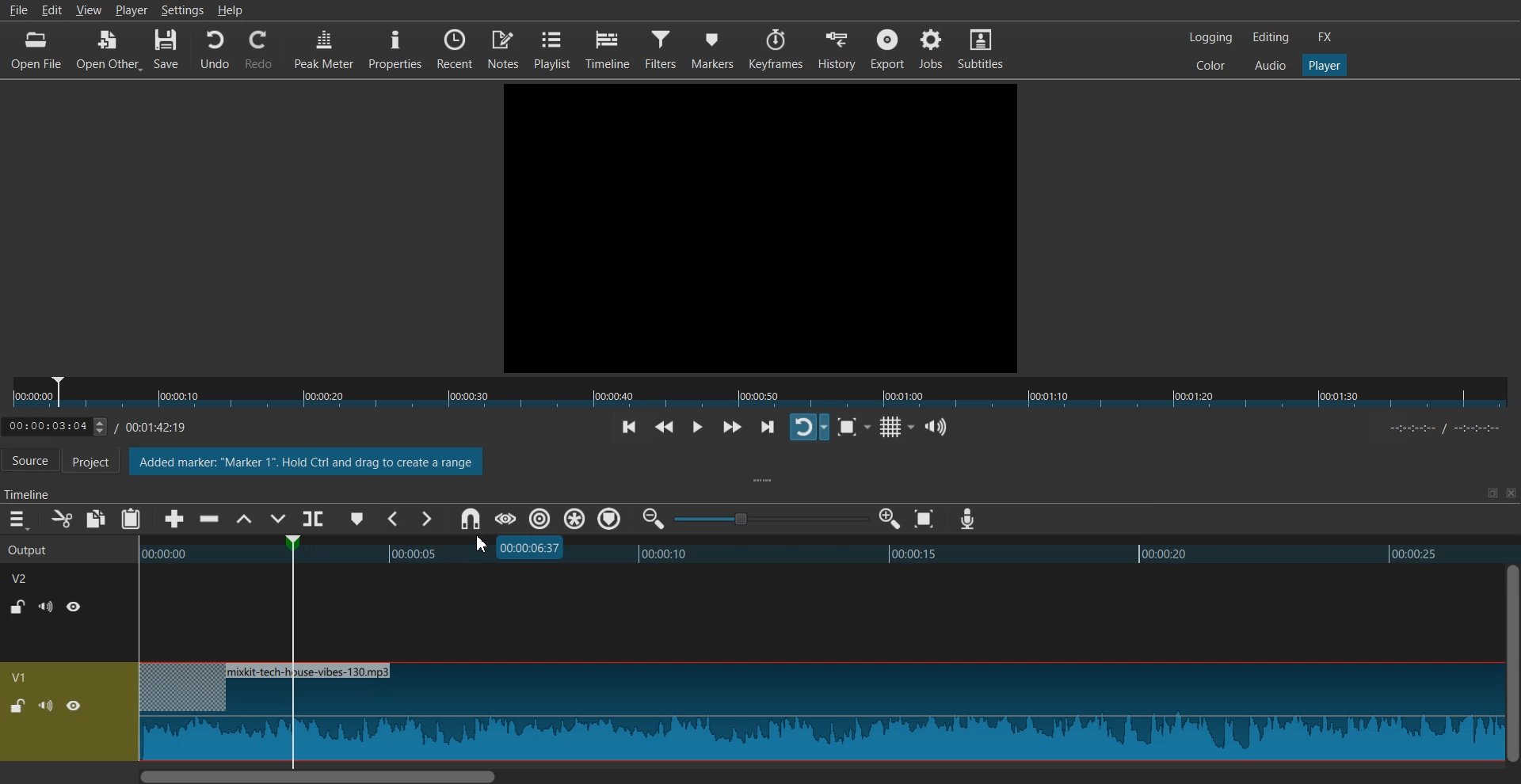  Describe the element at coordinates (809, 427) in the screenshot. I see `Toggle player lopping` at that location.